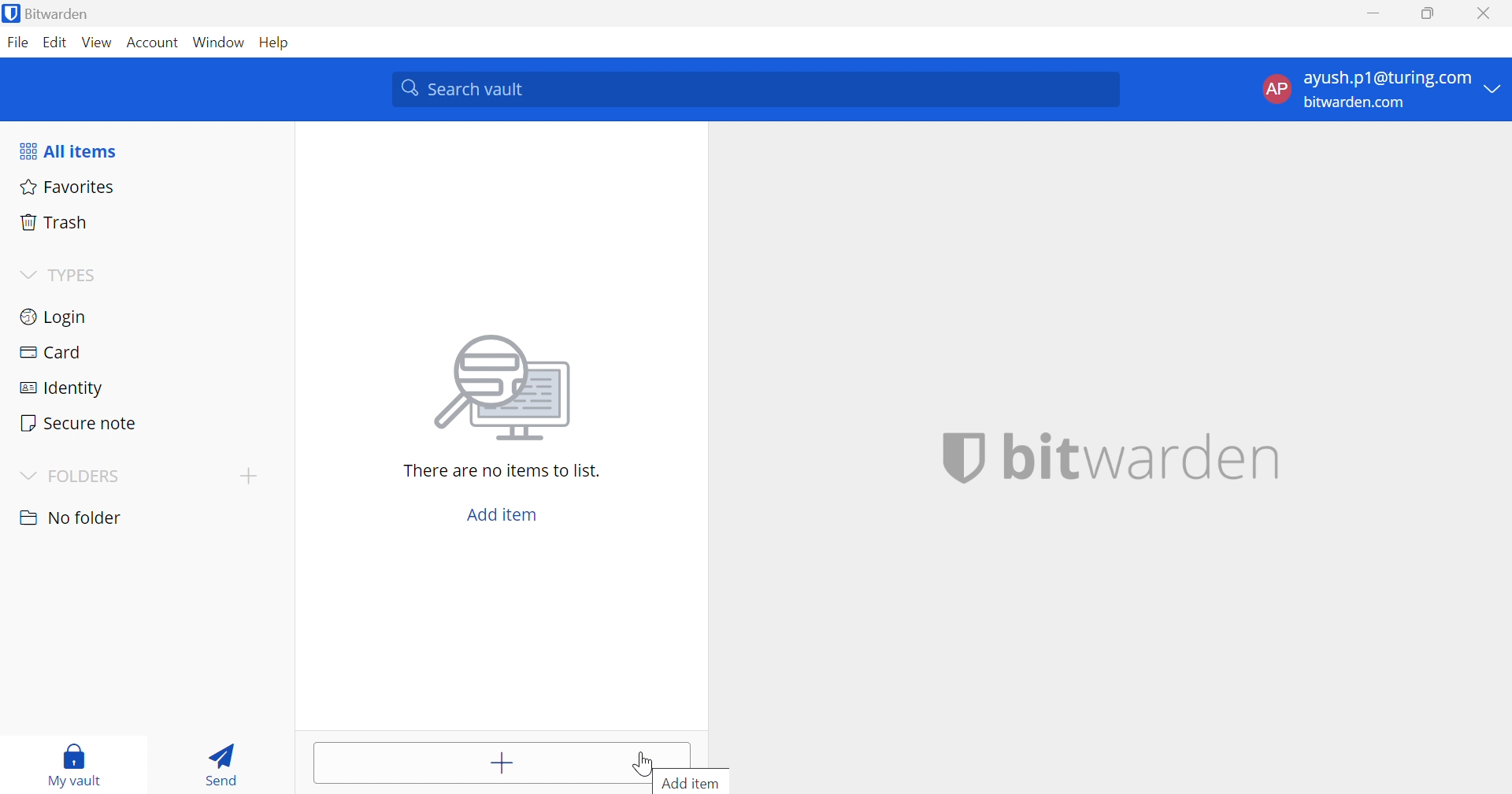 The height and width of the screenshot is (794, 1512). Describe the element at coordinates (98, 43) in the screenshot. I see `View` at that location.